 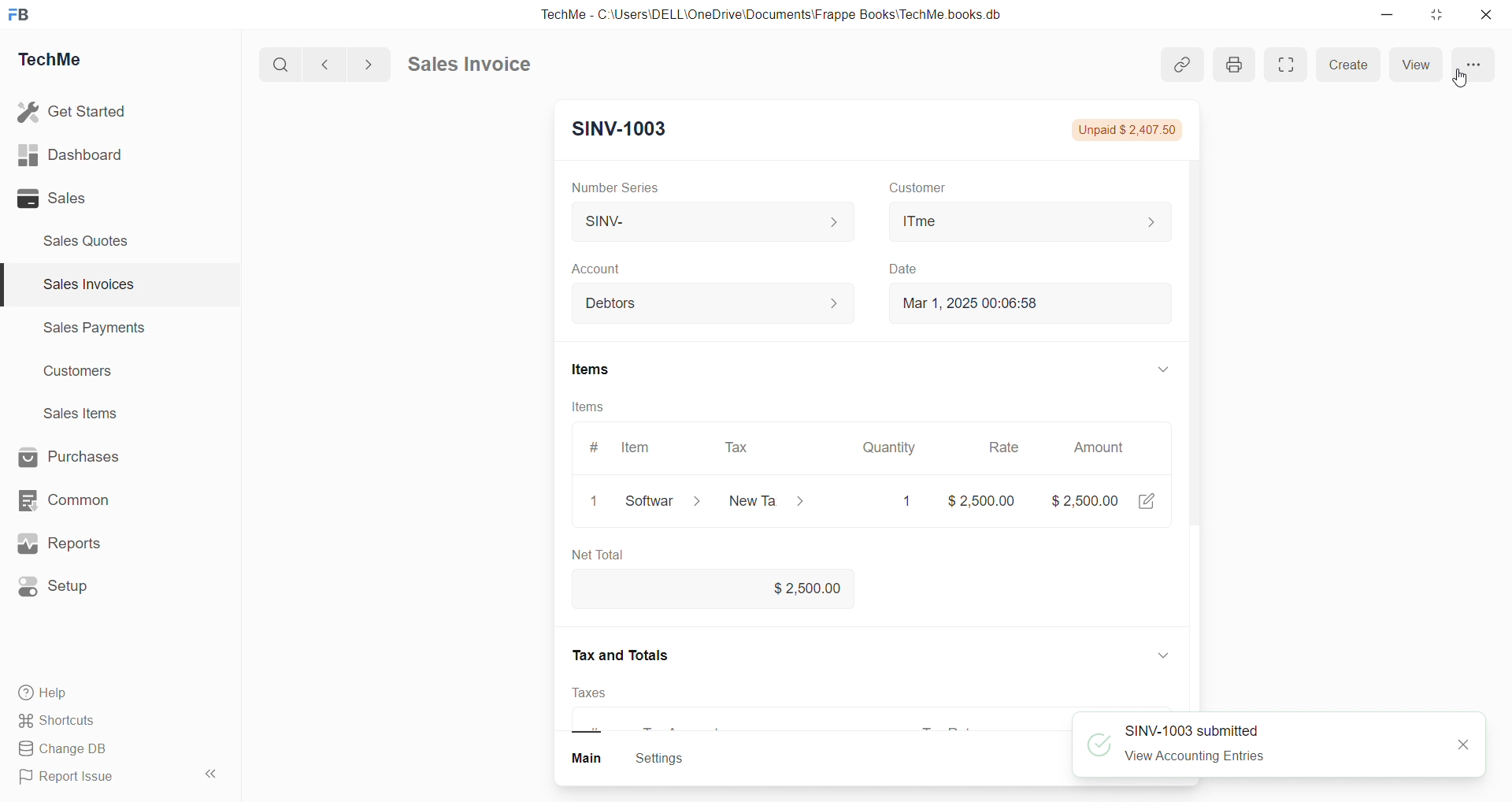 What do you see at coordinates (709, 223) in the screenshot?
I see `SINV- >` at bounding box center [709, 223].